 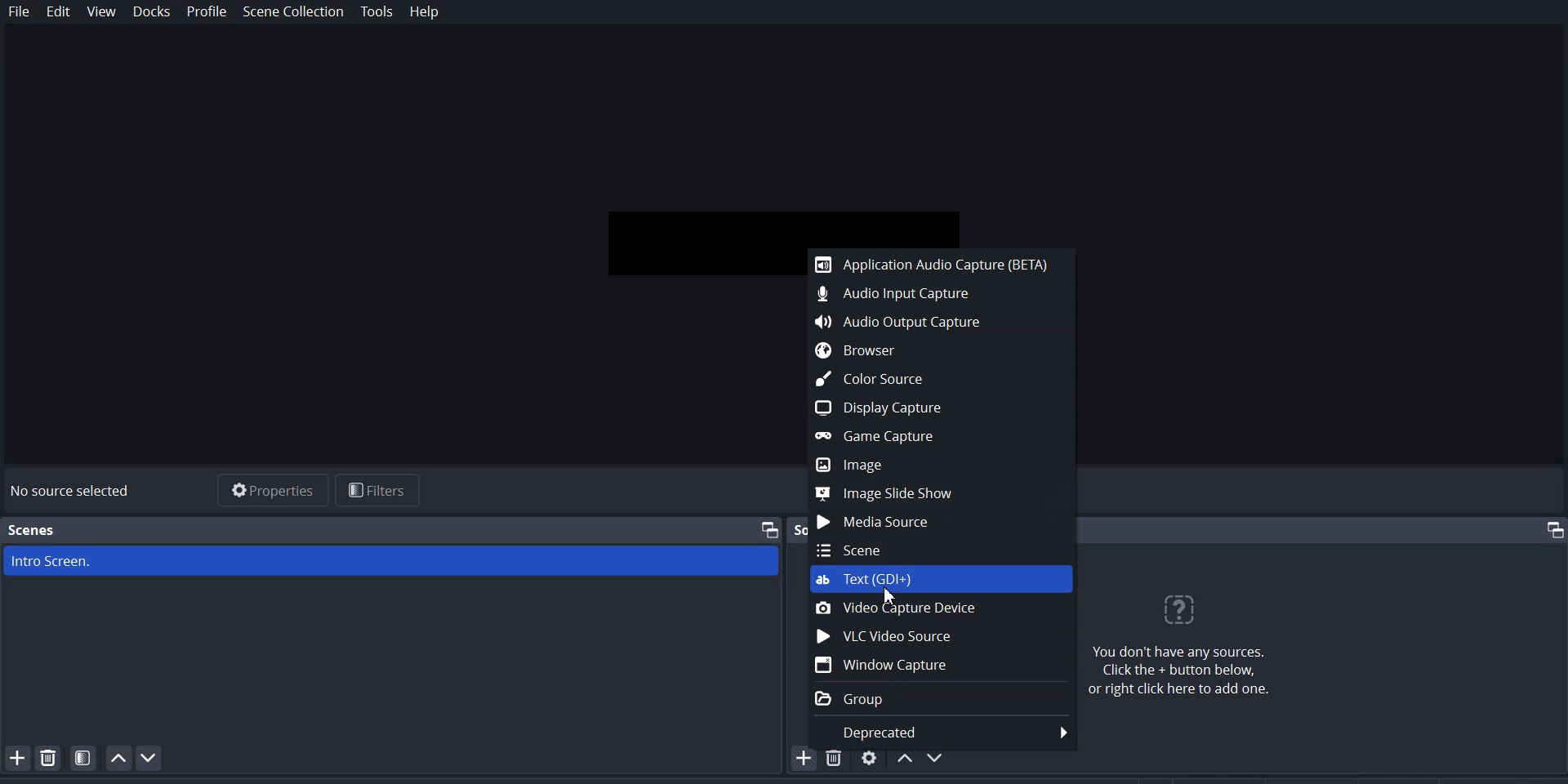 I want to click on Move Source Up, so click(x=905, y=757).